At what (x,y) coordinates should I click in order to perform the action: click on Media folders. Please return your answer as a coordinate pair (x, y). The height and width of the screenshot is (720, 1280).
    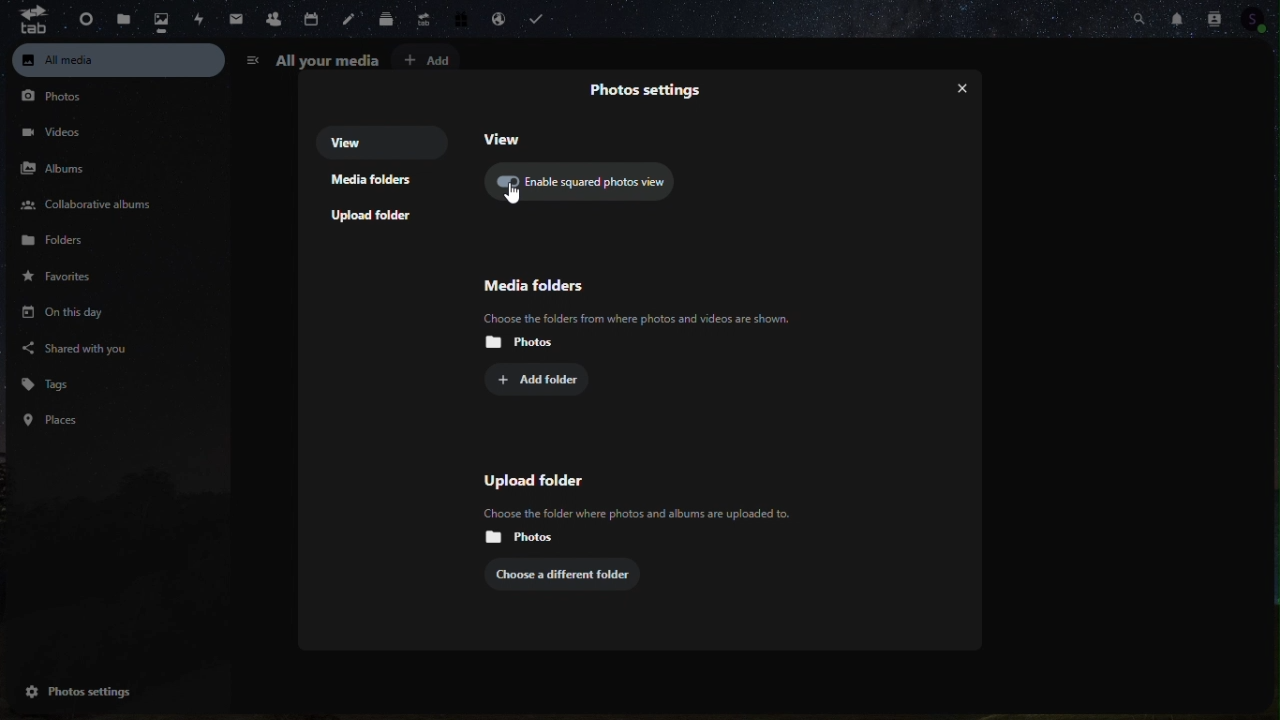
    Looking at the image, I should click on (381, 181).